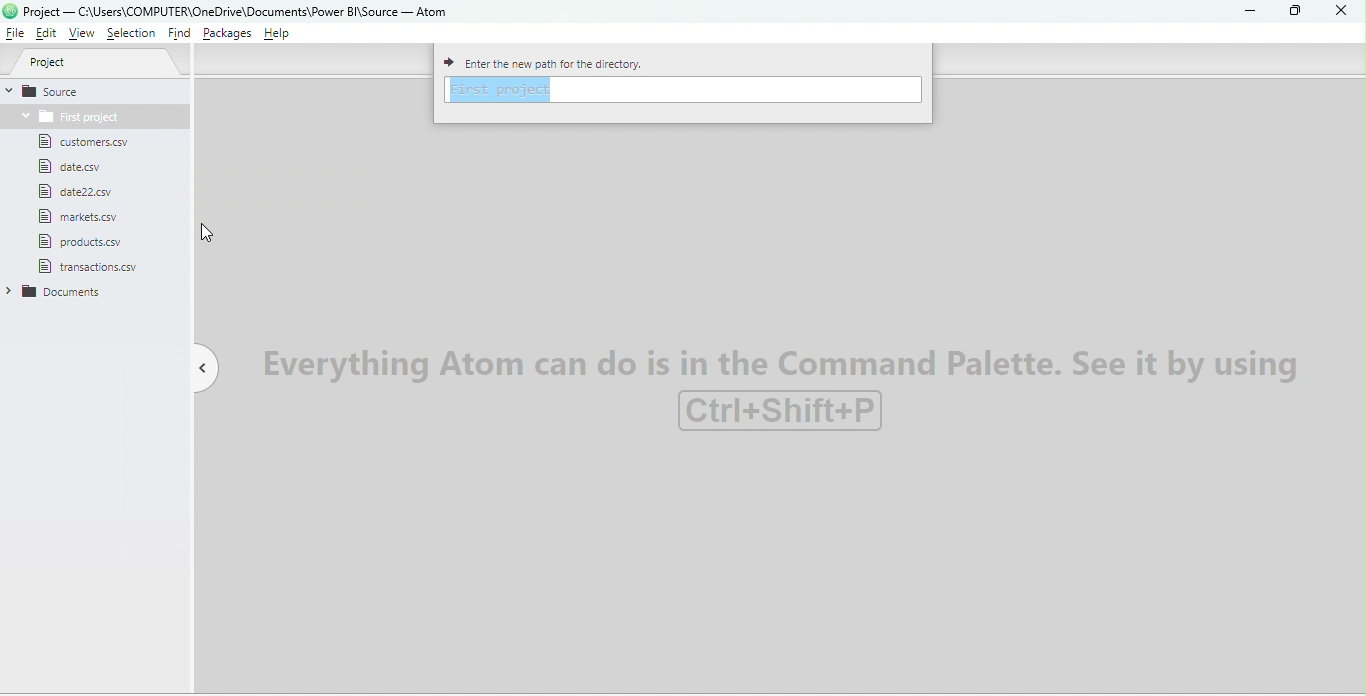 This screenshot has width=1366, height=696. Describe the element at coordinates (1291, 12) in the screenshot. I see `Maximize` at that location.